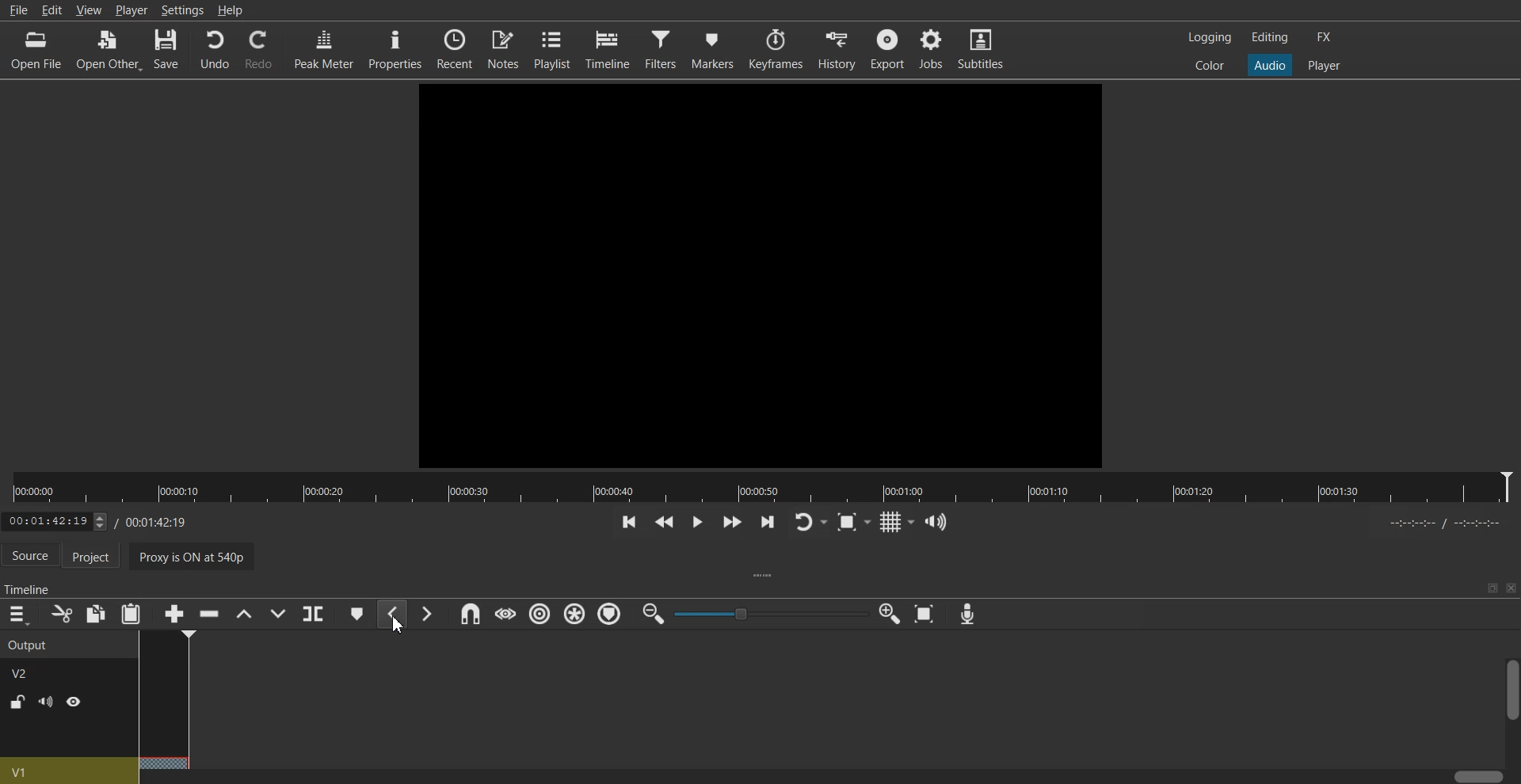  Describe the element at coordinates (932, 49) in the screenshot. I see `Jobs` at that location.